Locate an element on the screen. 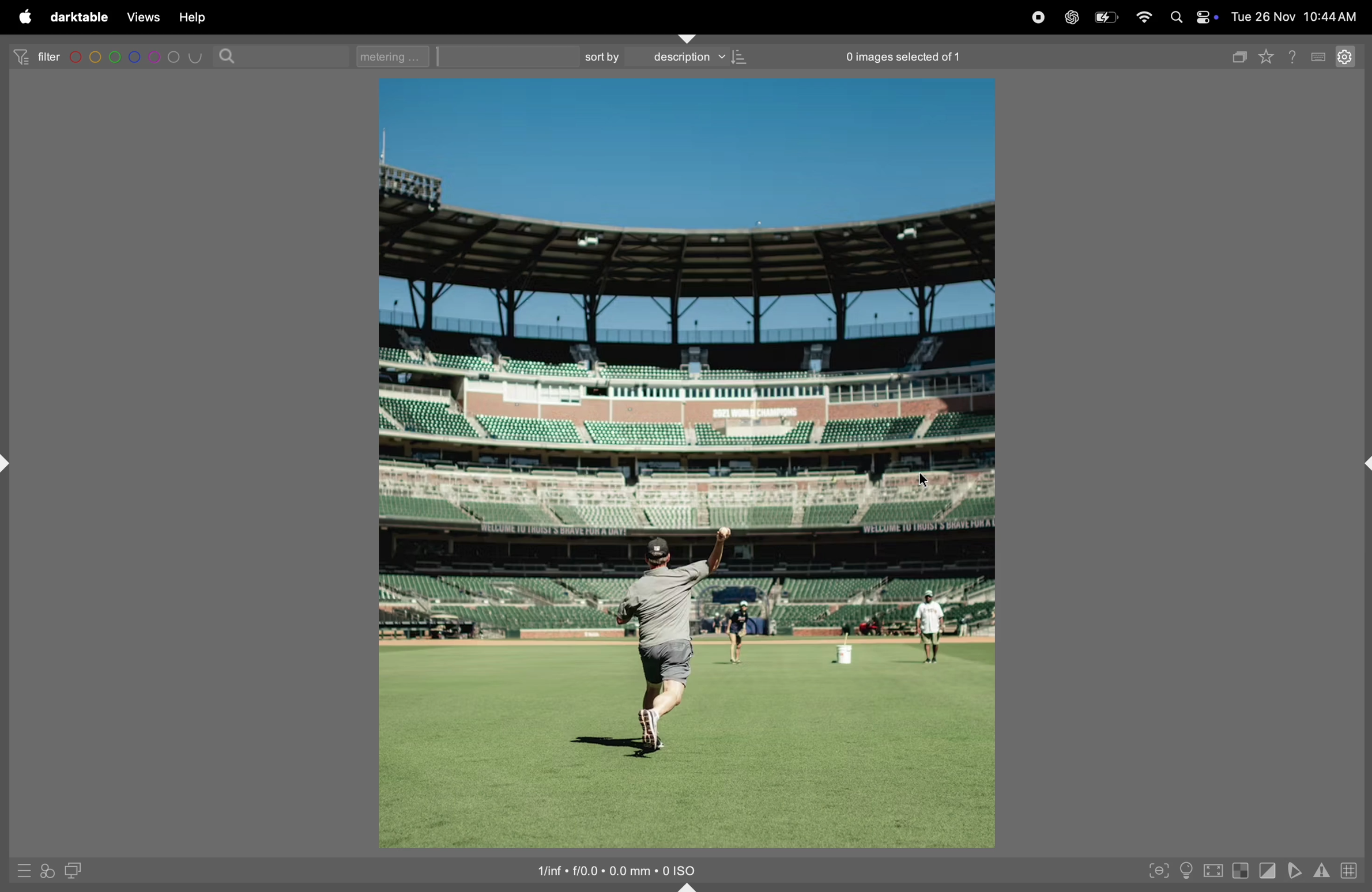  quick access for applying styles is located at coordinates (49, 871).